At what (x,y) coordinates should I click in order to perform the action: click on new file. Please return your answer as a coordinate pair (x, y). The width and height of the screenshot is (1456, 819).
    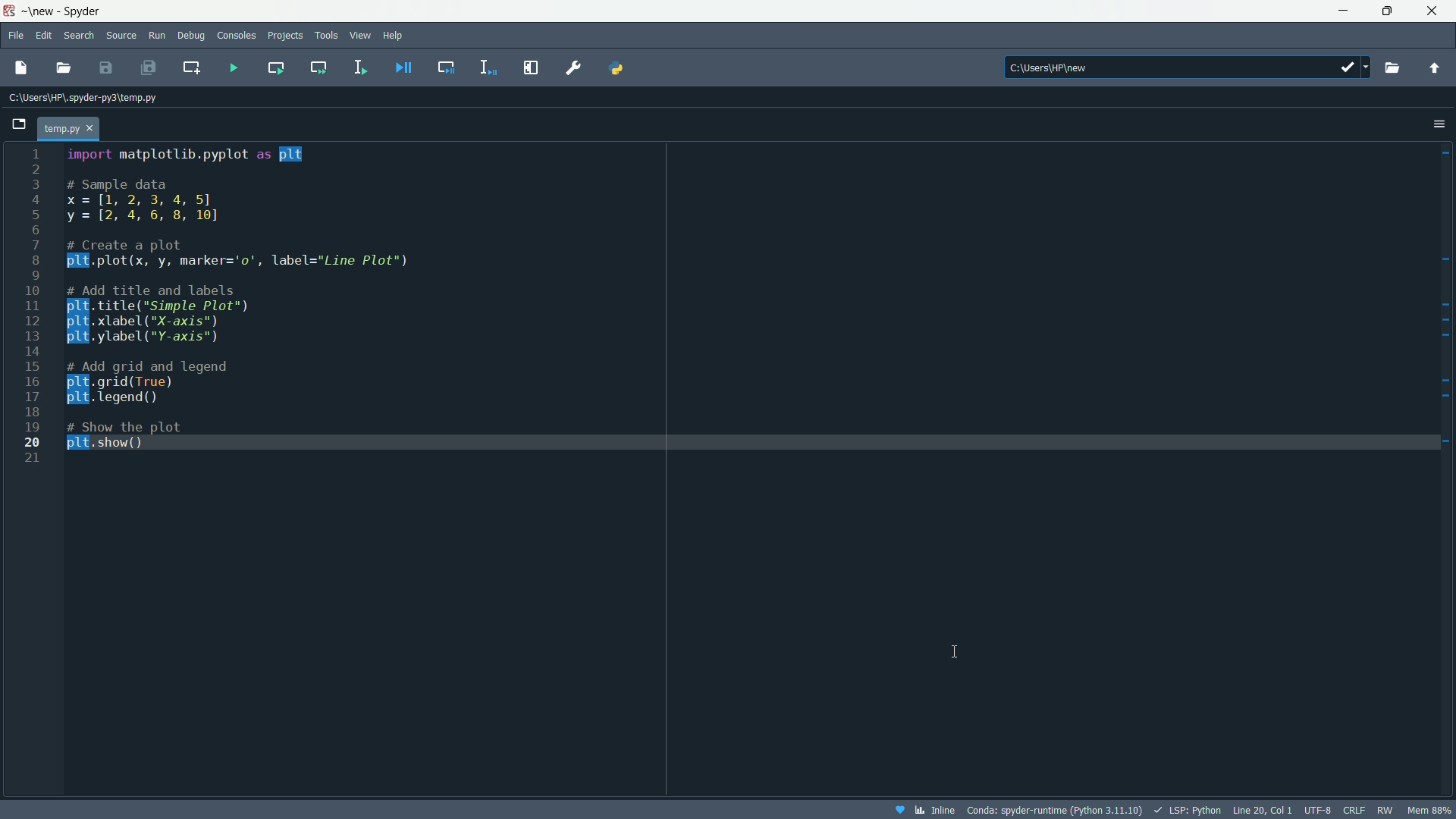
    Looking at the image, I should click on (20, 67).